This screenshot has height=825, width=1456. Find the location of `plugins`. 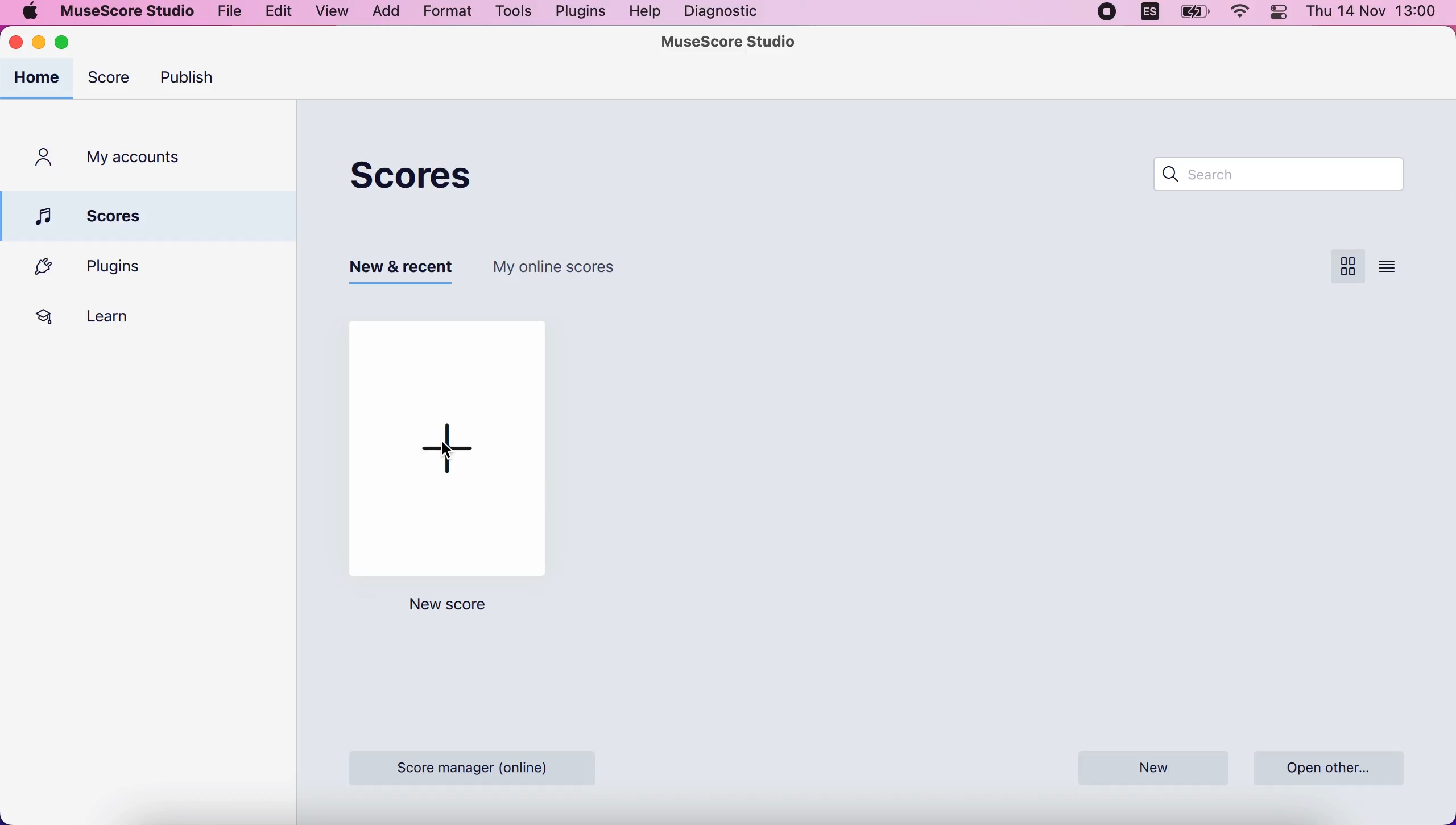

plugins is located at coordinates (109, 267).